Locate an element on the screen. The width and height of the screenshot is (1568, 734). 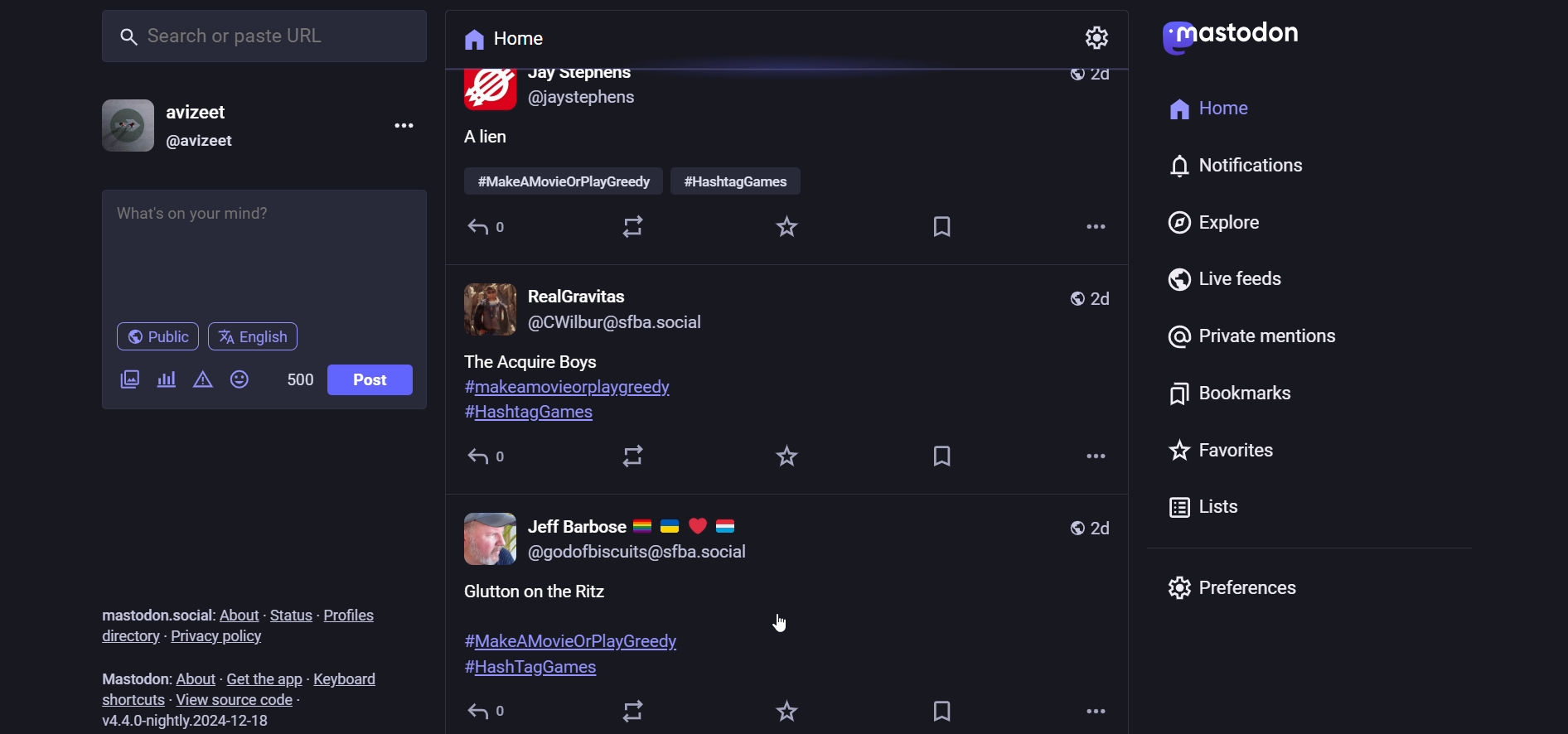
id is located at coordinates (208, 142).